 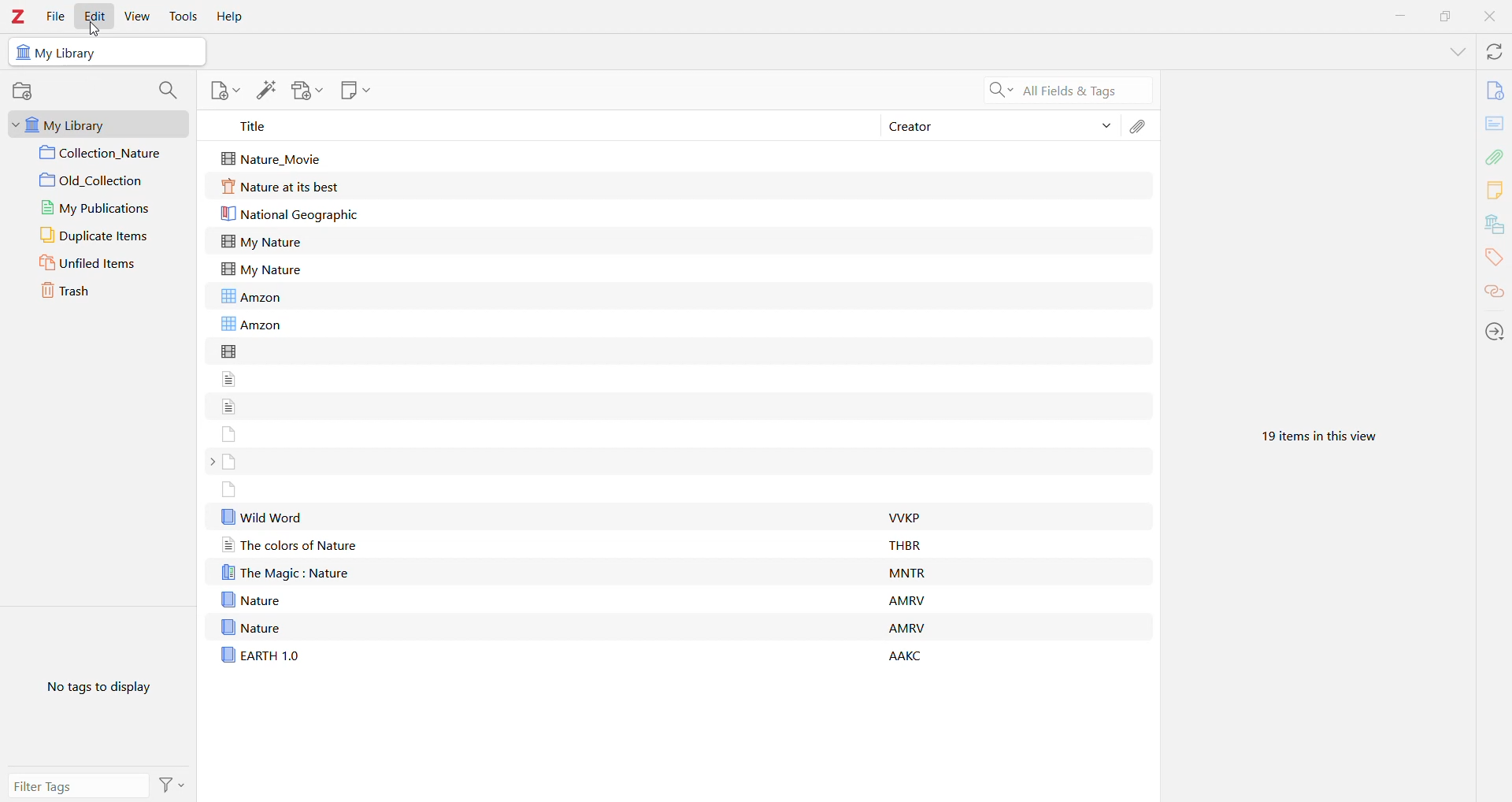 What do you see at coordinates (266, 89) in the screenshot?
I see `Add Item(s) by Identifier` at bounding box center [266, 89].